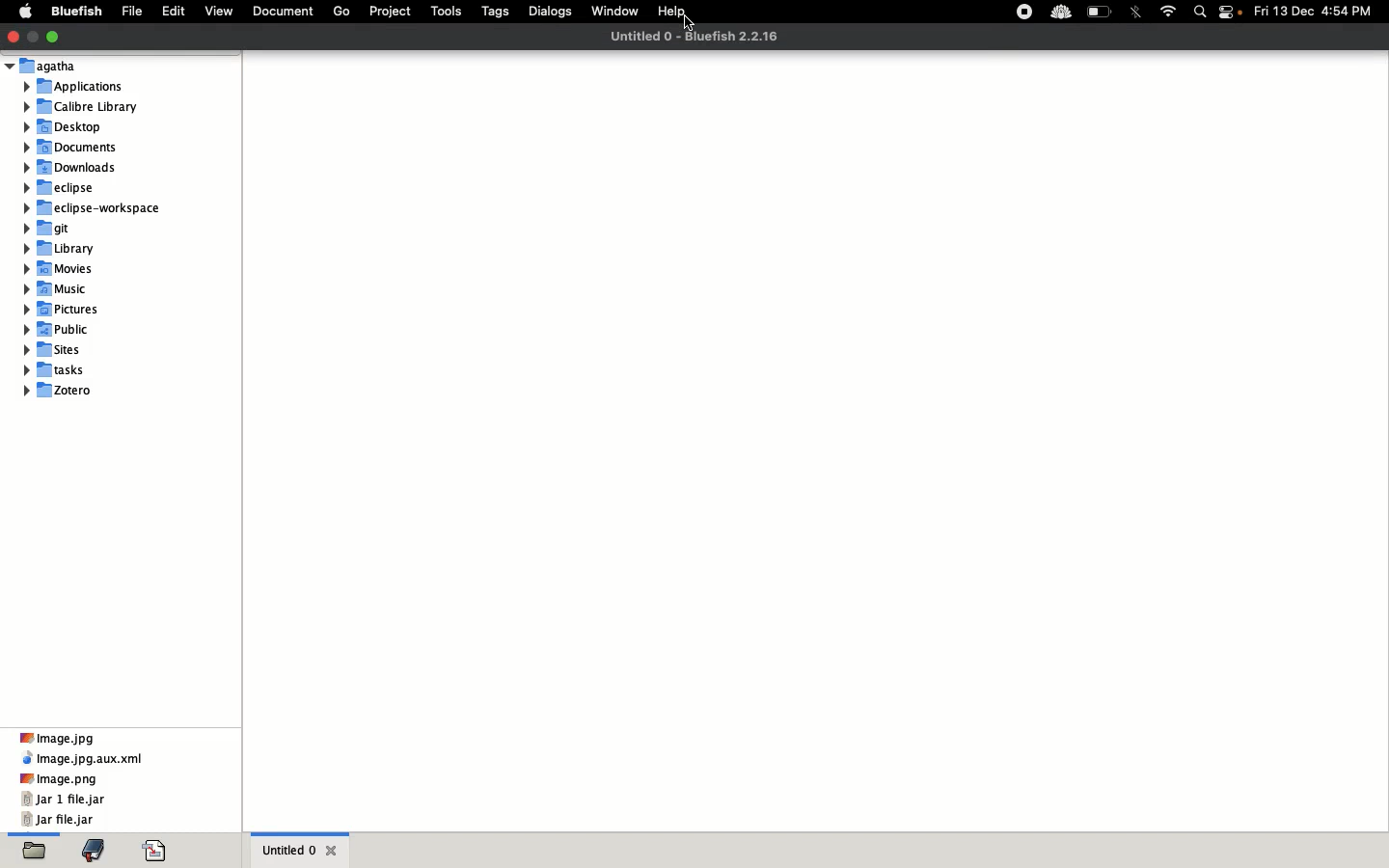 The width and height of the screenshot is (1389, 868). I want to click on Window, so click(612, 11).